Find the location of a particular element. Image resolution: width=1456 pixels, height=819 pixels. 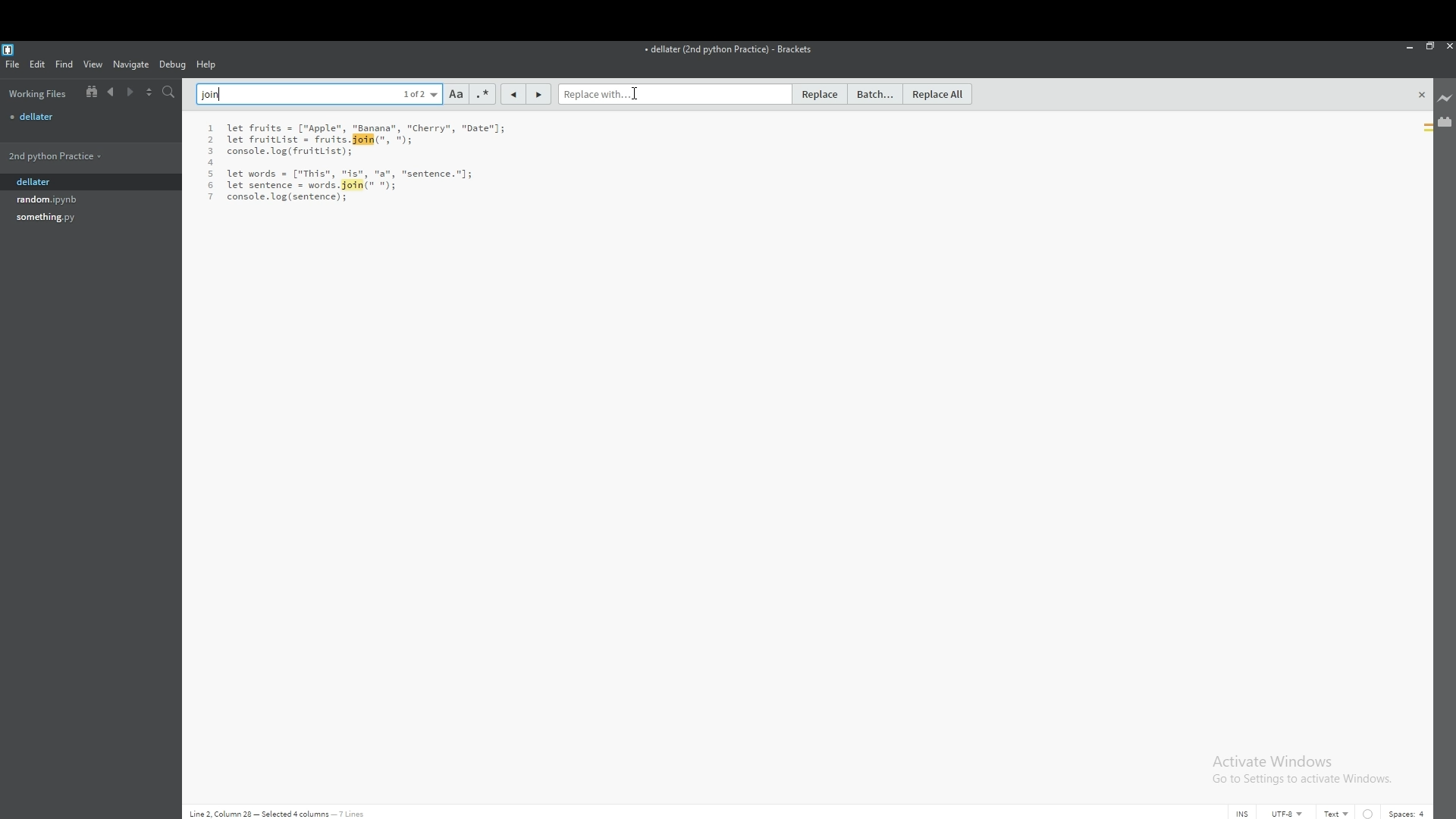

regex is located at coordinates (482, 94).